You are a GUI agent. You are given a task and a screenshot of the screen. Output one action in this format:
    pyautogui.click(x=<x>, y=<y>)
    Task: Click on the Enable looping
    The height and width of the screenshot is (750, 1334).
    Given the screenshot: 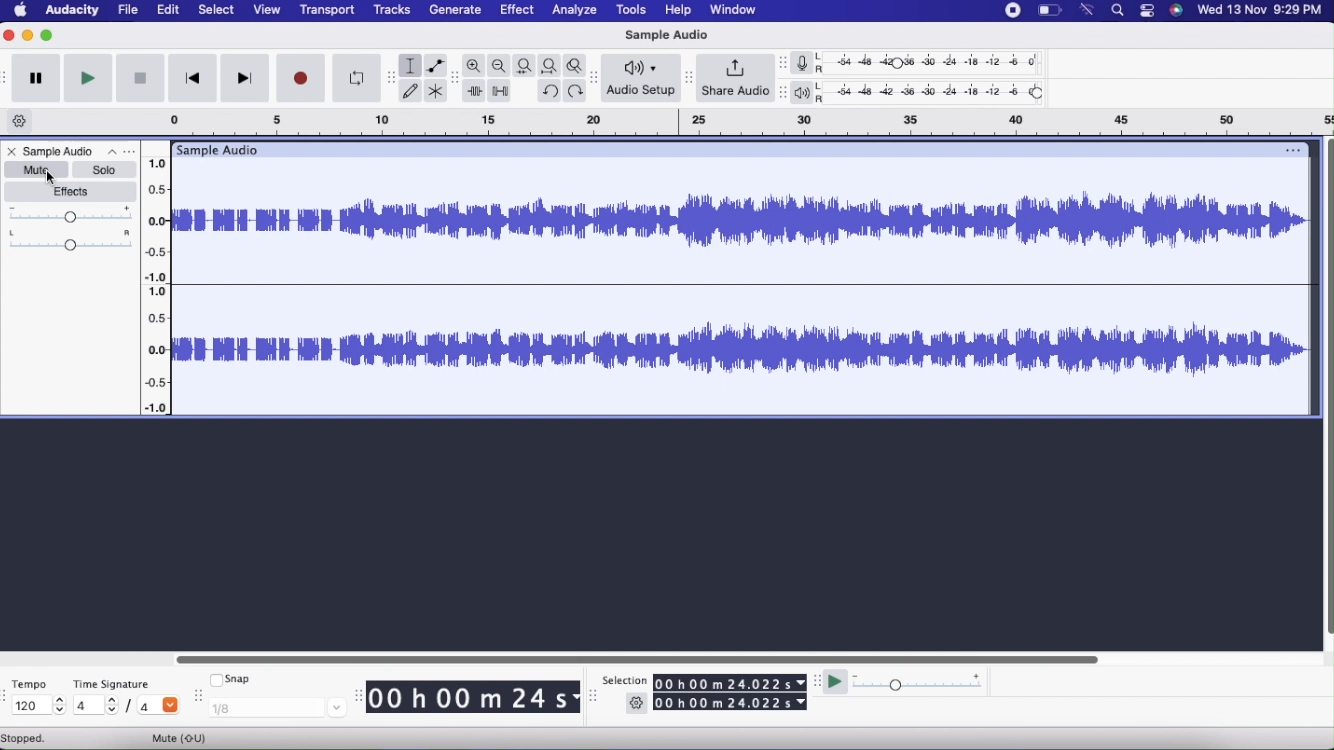 What is the action you would take?
    pyautogui.click(x=355, y=75)
    